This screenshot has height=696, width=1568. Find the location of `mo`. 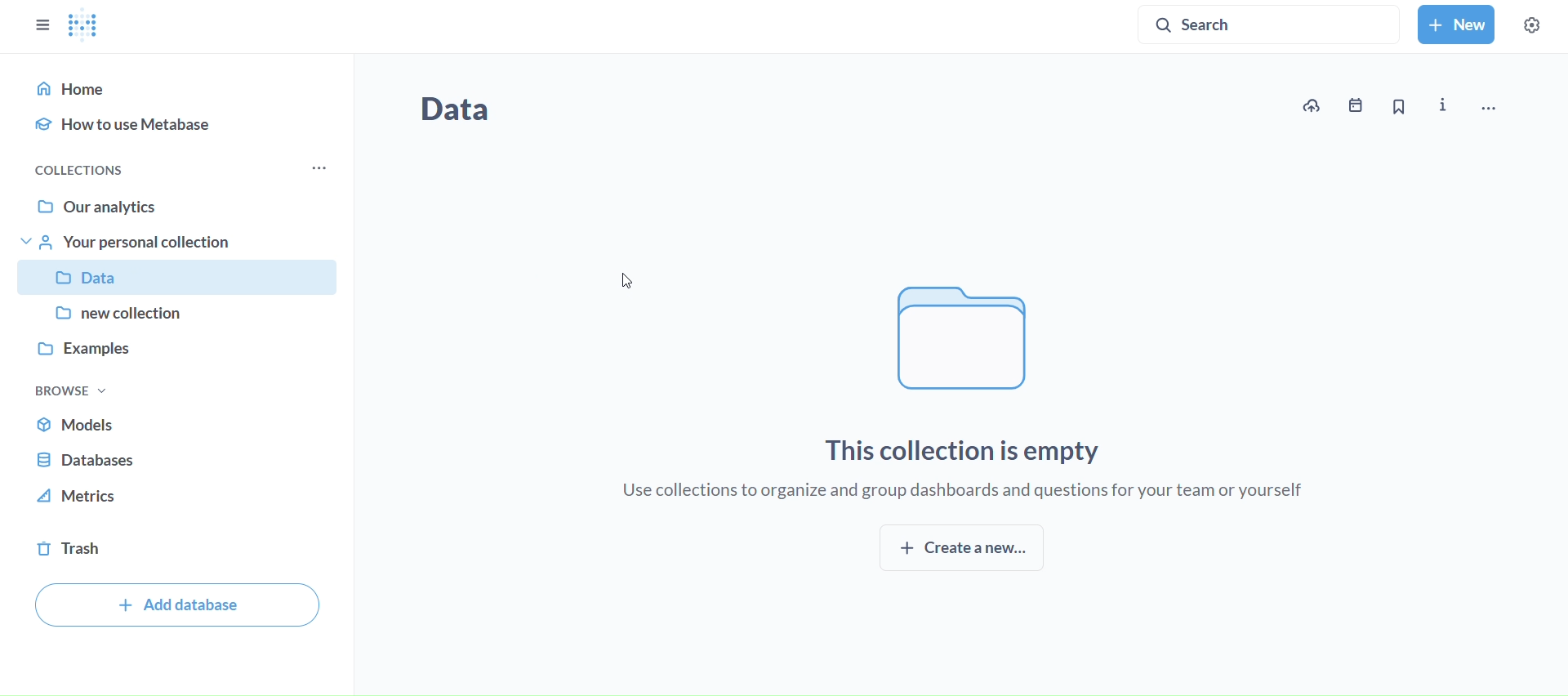

mo is located at coordinates (317, 168).